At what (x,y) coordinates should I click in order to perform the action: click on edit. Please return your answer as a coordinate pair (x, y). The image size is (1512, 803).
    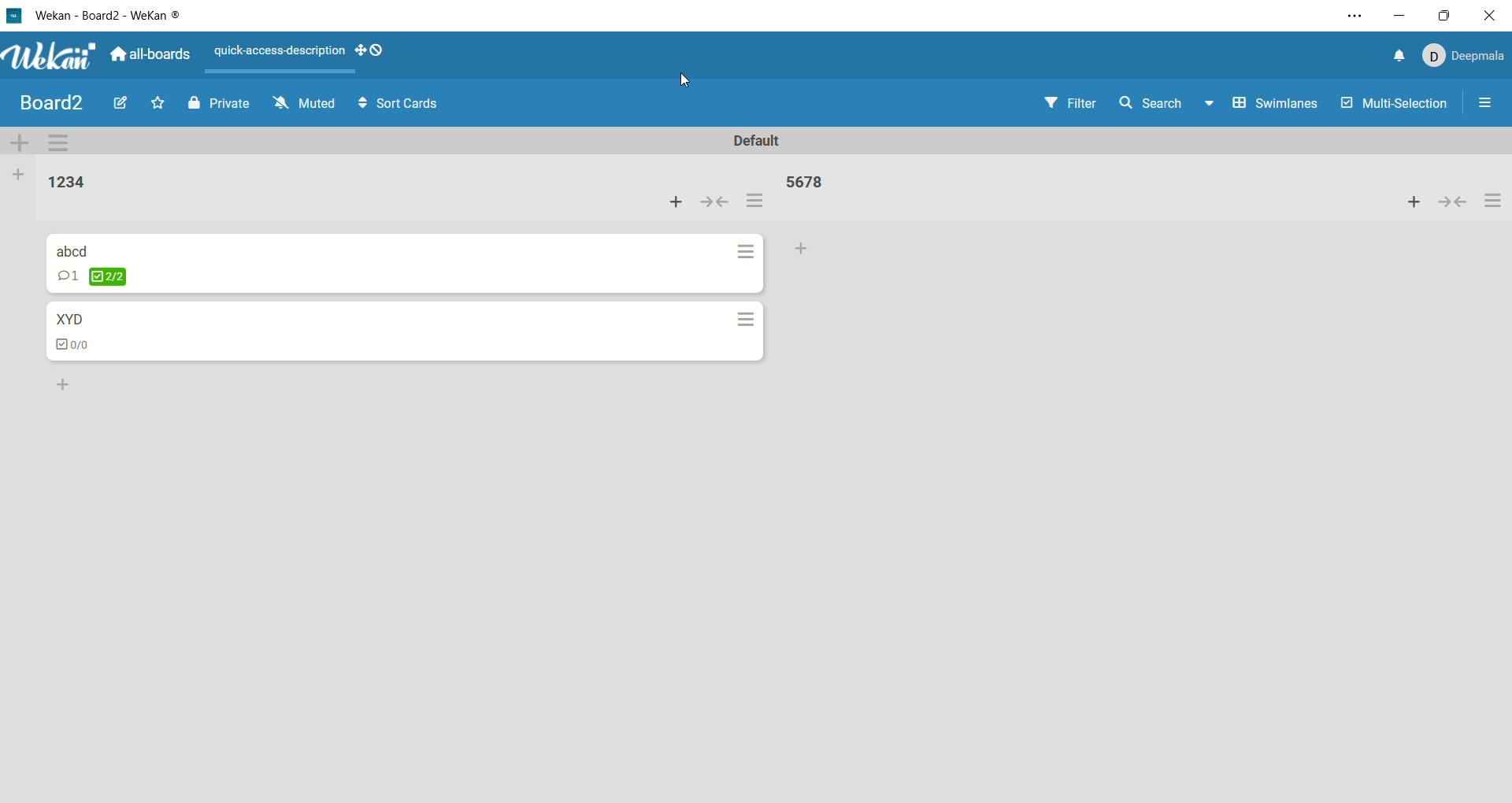
    Looking at the image, I should click on (114, 103).